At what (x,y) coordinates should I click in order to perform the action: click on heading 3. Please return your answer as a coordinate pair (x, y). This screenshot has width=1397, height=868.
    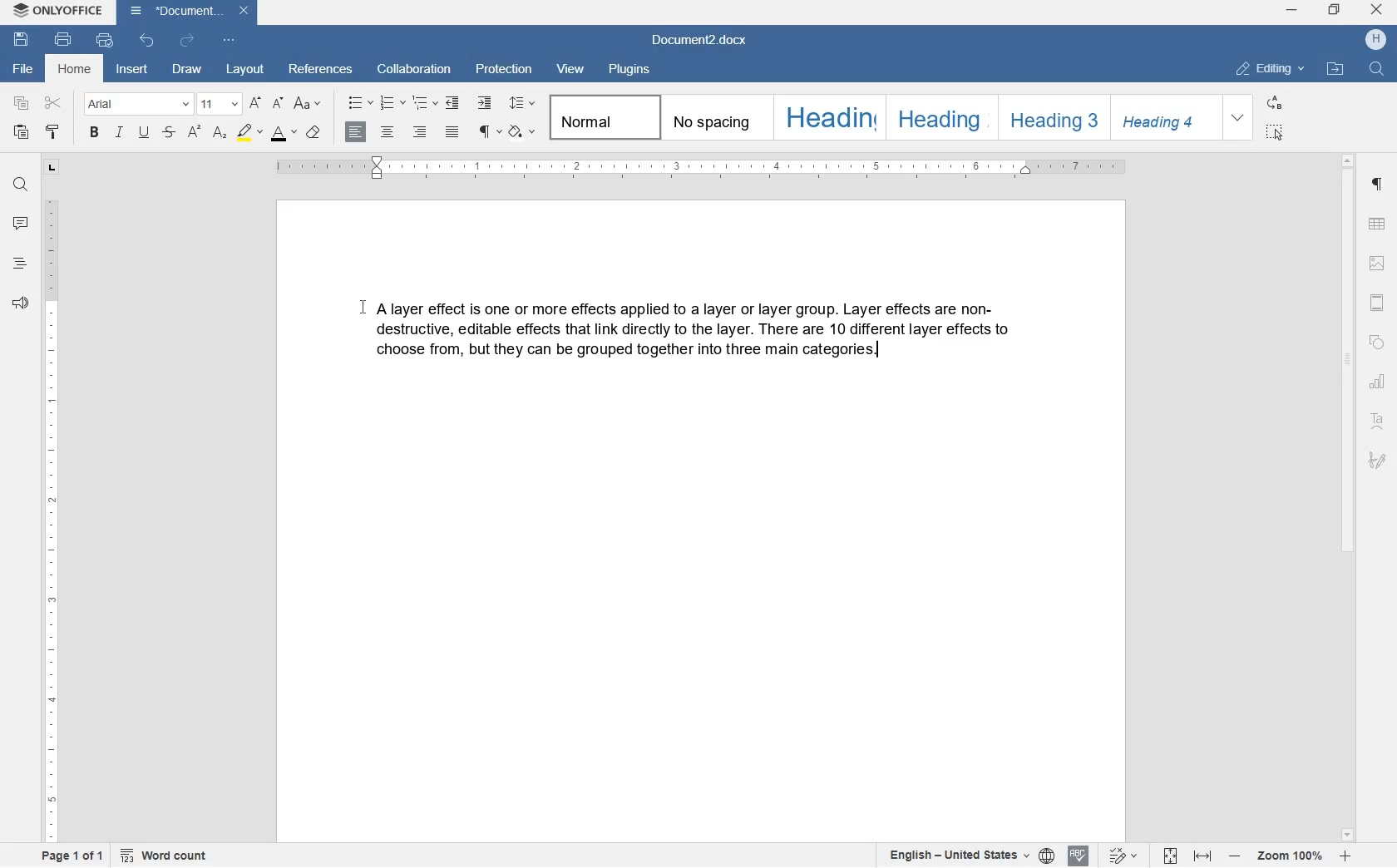
    Looking at the image, I should click on (1054, 118).